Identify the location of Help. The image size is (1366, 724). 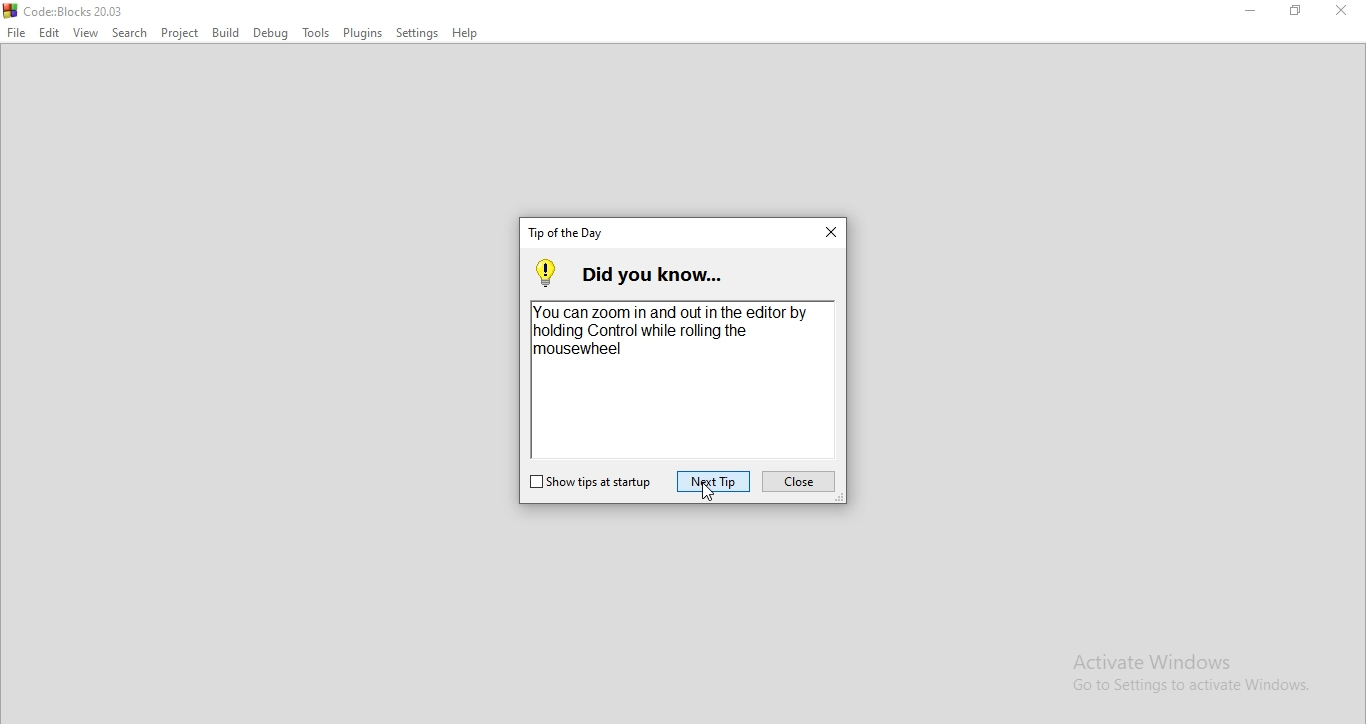
(463, 34).